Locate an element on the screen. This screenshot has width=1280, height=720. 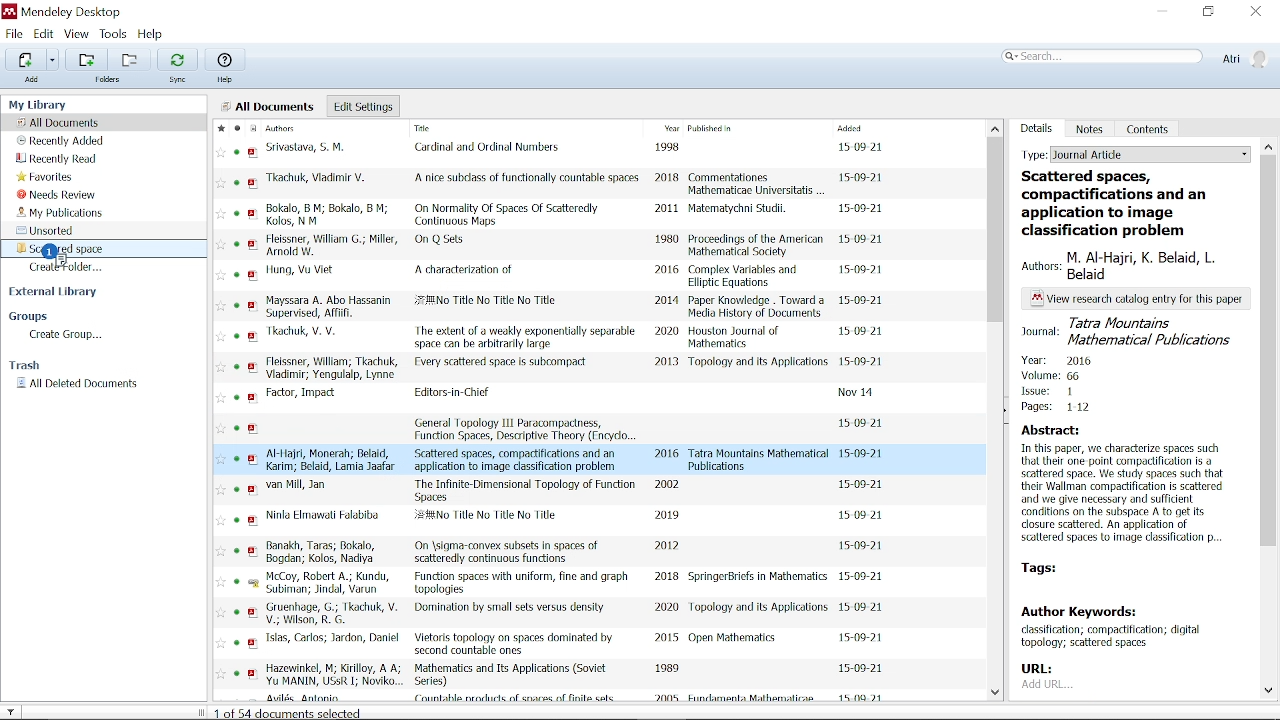
authors is located at coordinates (324, 552).